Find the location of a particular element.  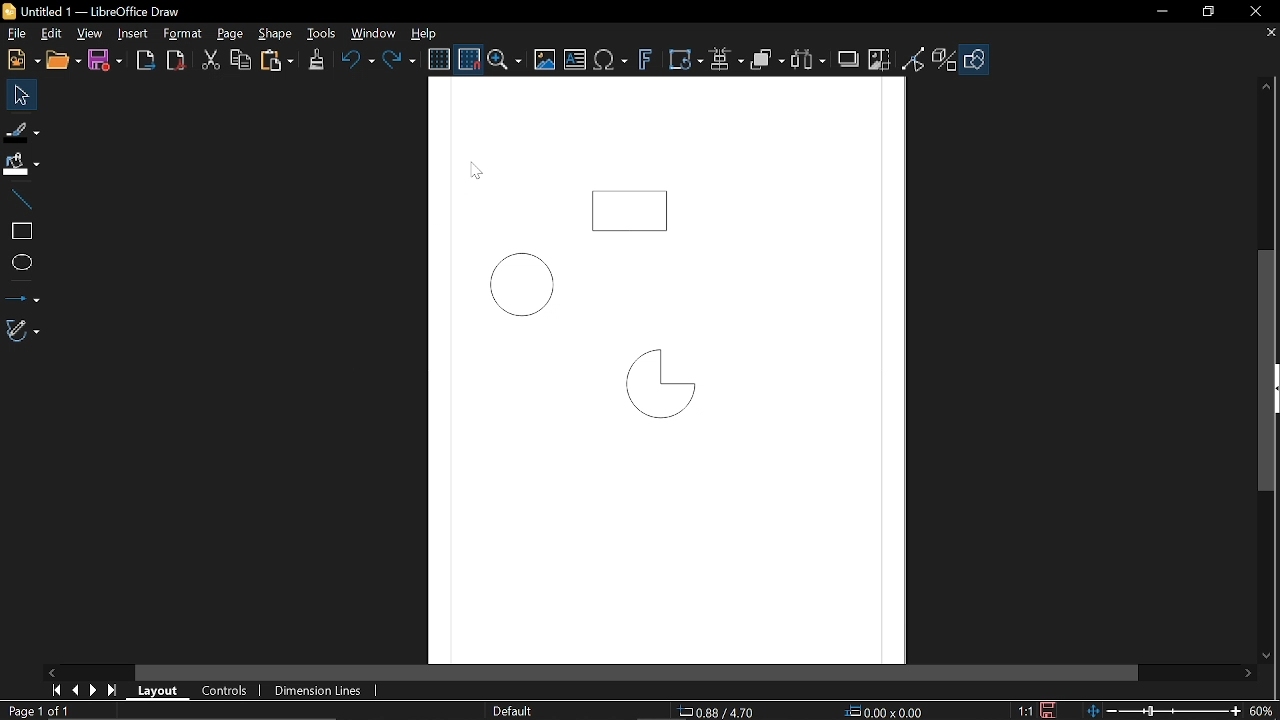

paste is located at coordinates (278, 61).